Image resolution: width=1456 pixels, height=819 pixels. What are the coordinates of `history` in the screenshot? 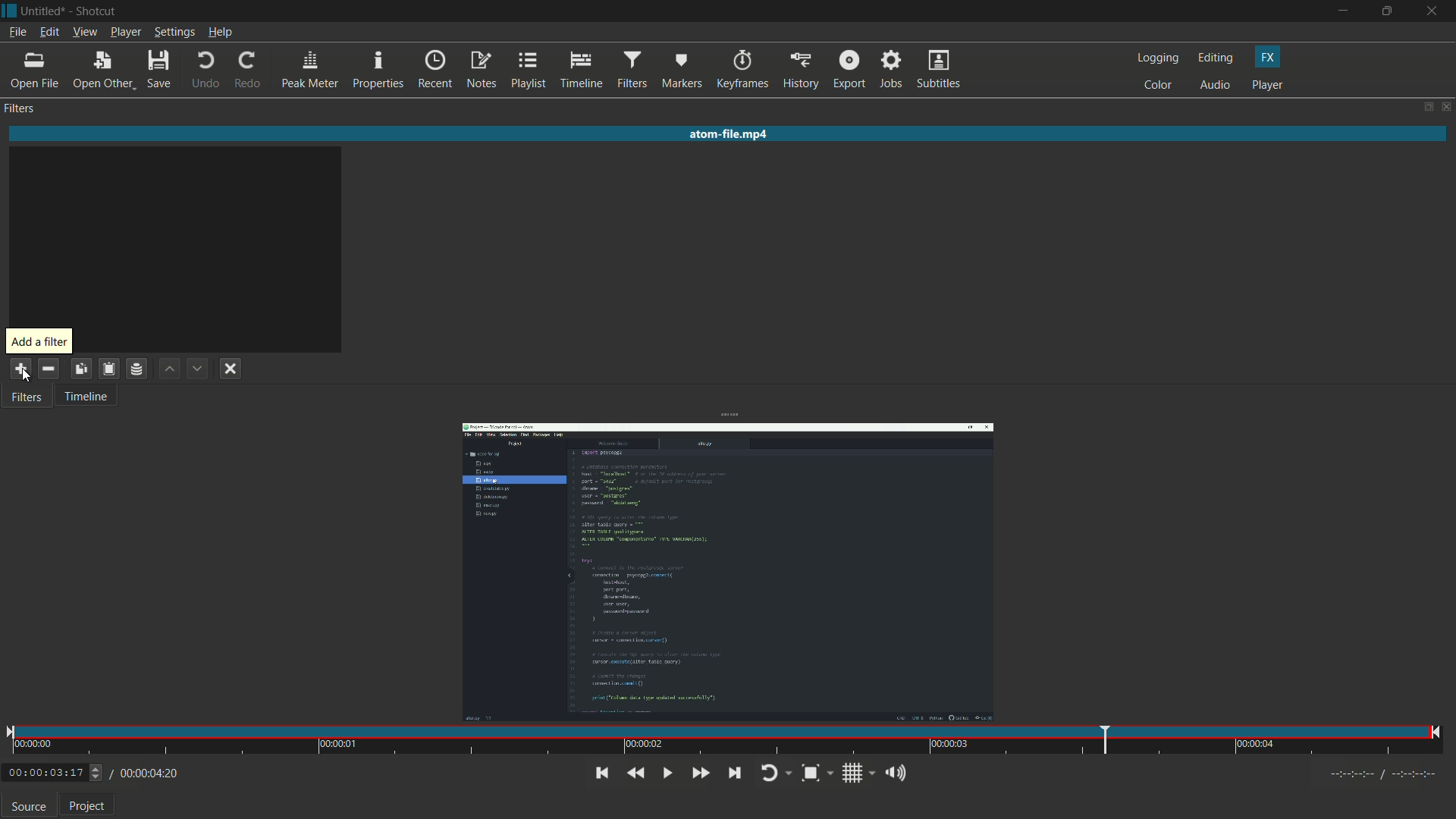 It's located at (802, 68).